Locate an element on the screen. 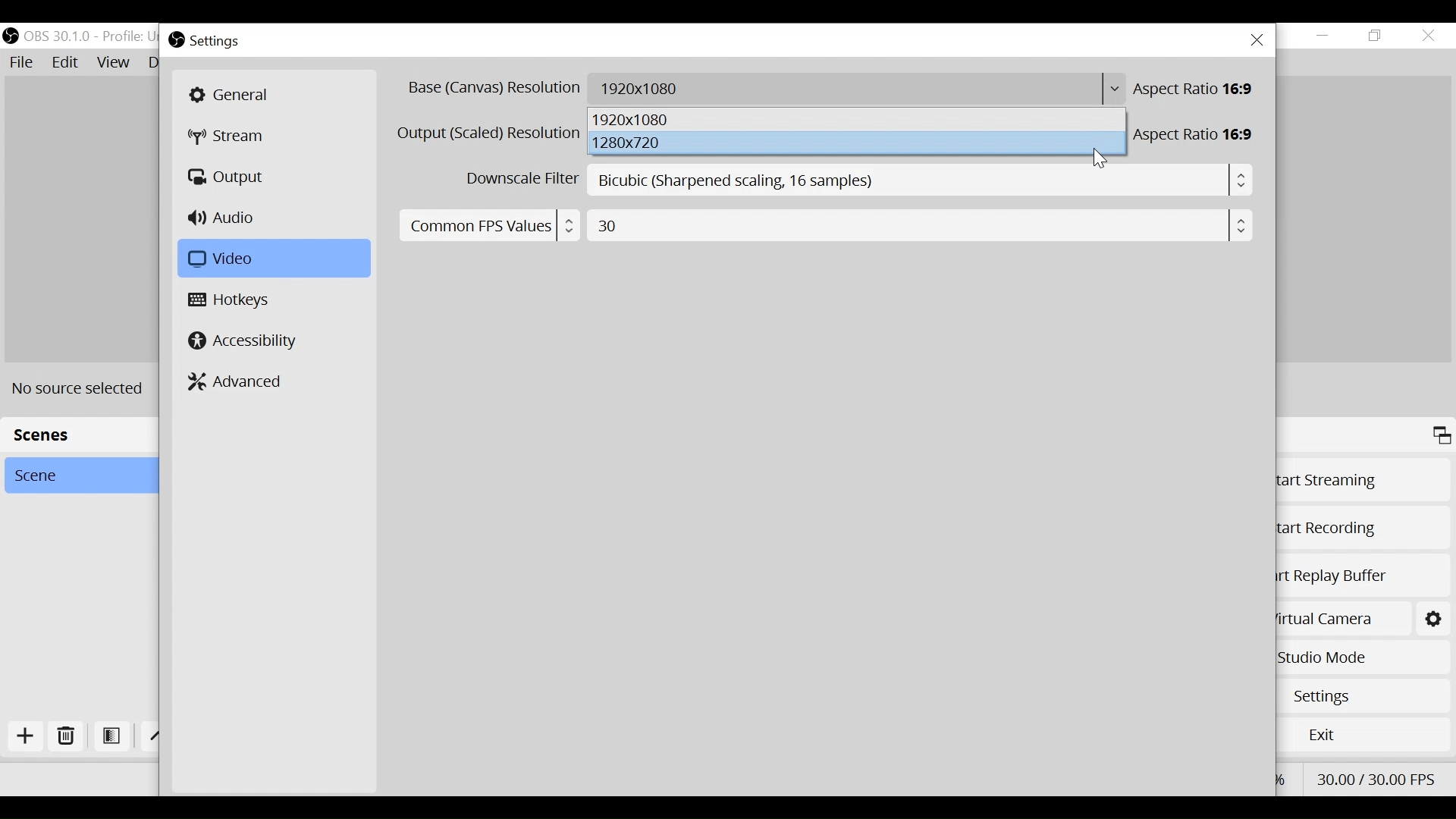 The height and width of the screenshot is (819, 1456). Restore is located at coordinates (1376, 36).